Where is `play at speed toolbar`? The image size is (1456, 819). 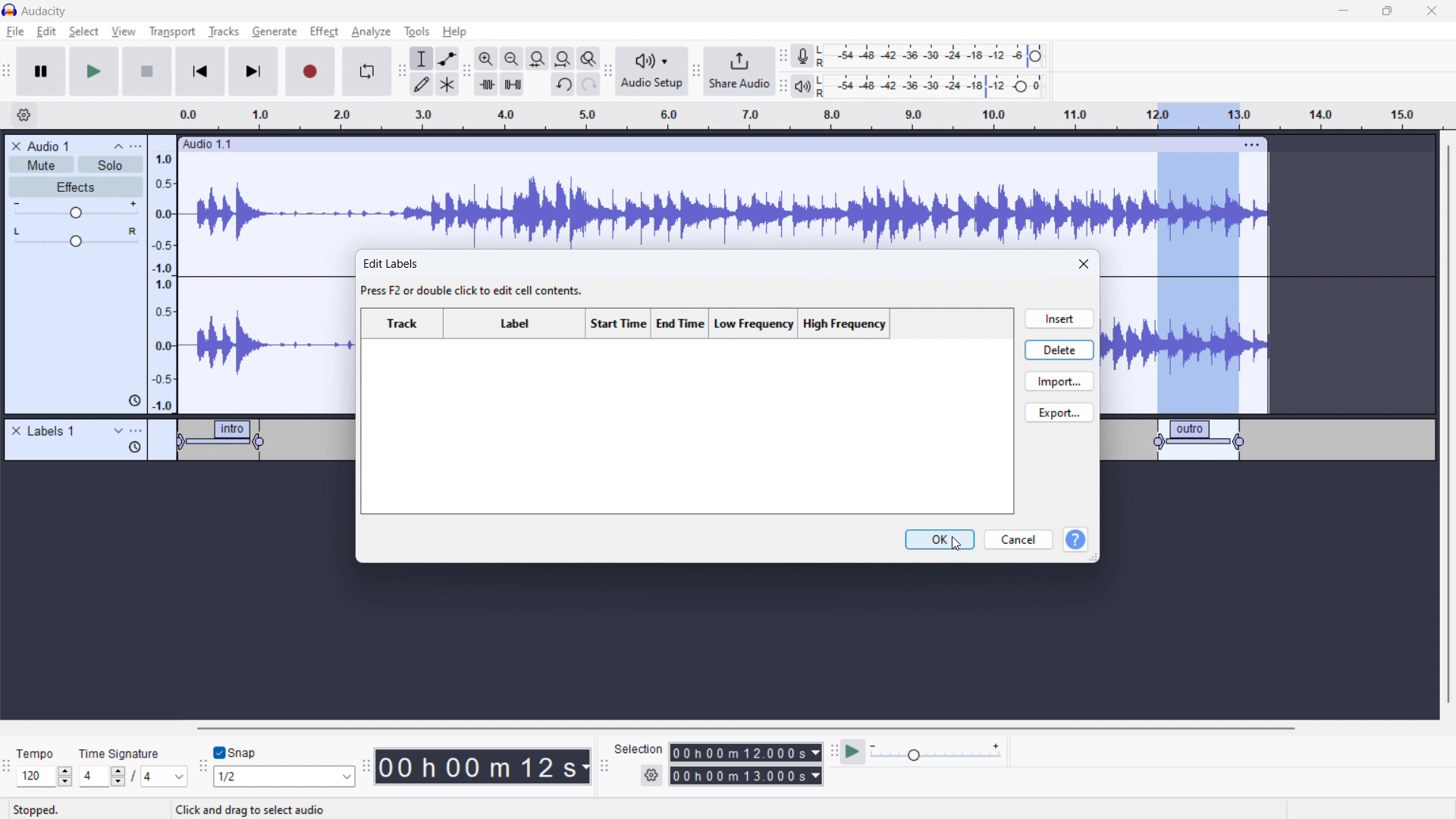
play at speed toolbar is located at coordinates (833, 753).